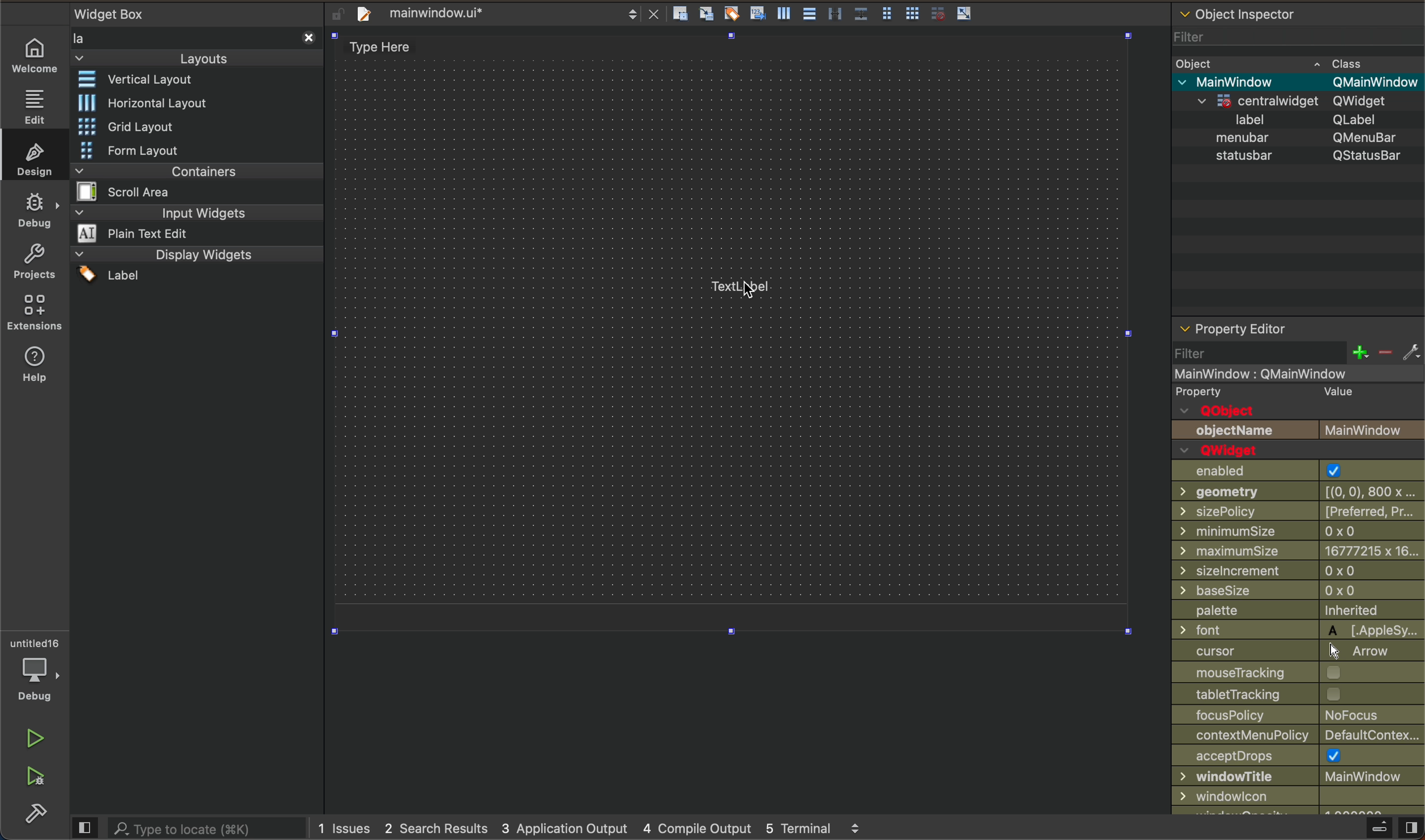 The image size is (1425, 840). What do you see at coordinates (1296, 156) in the screenshot?
I see `statsubar` at bounding box center [1296, 156].